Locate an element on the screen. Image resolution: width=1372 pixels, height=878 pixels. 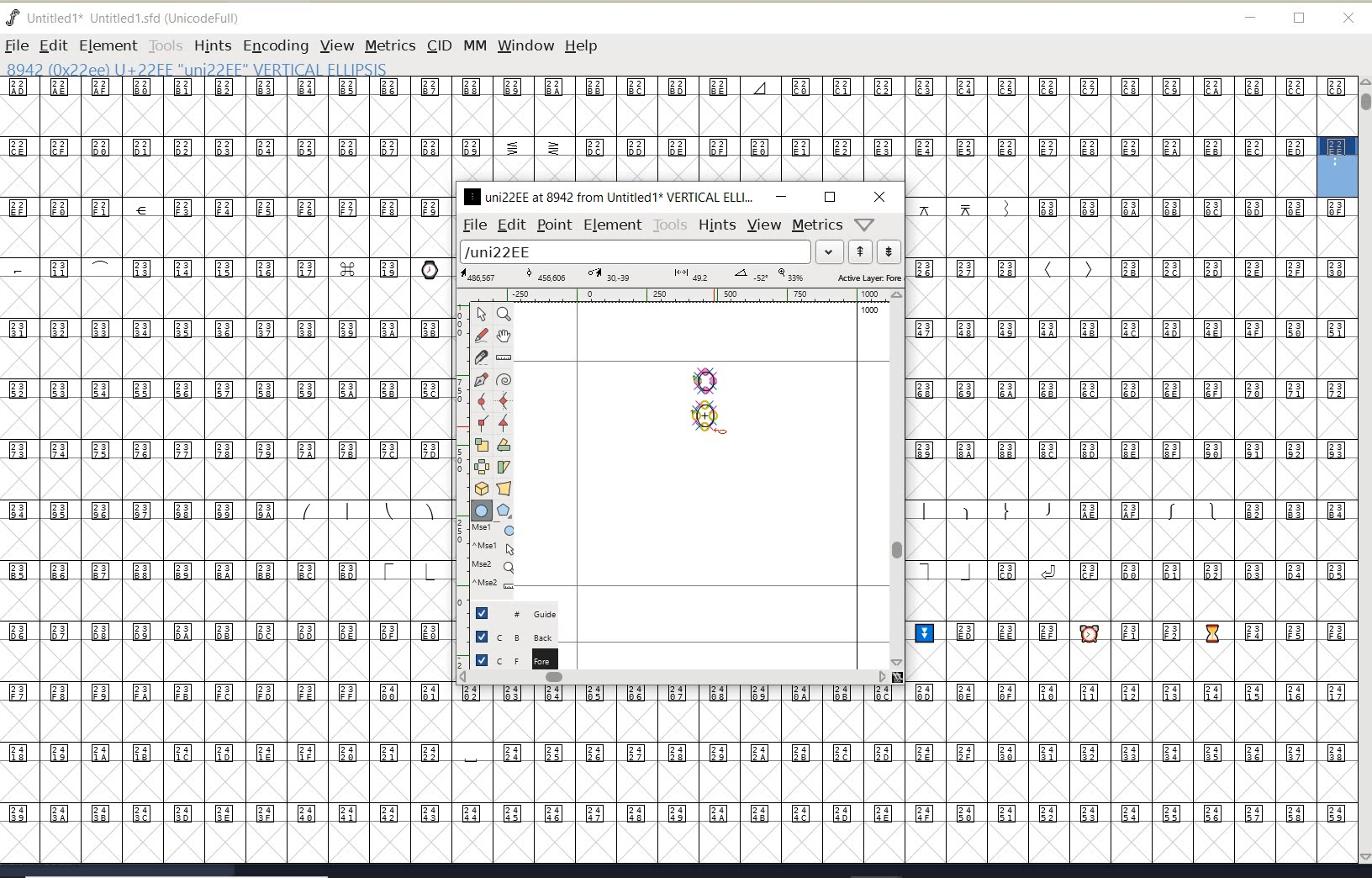
GLYPHY CHARACTERS & NUMBERS is located at coordinates (1133, 530).